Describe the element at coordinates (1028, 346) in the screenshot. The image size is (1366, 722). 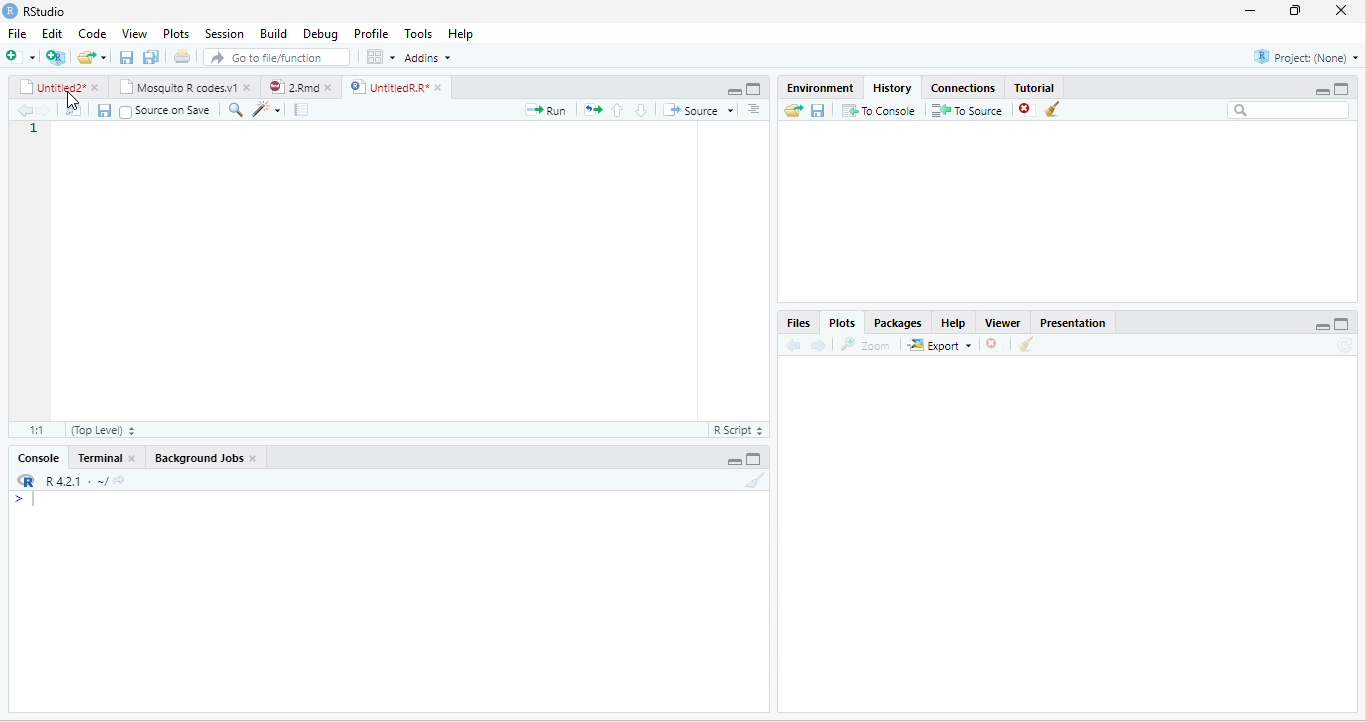
I see `CLEAN` at that location.